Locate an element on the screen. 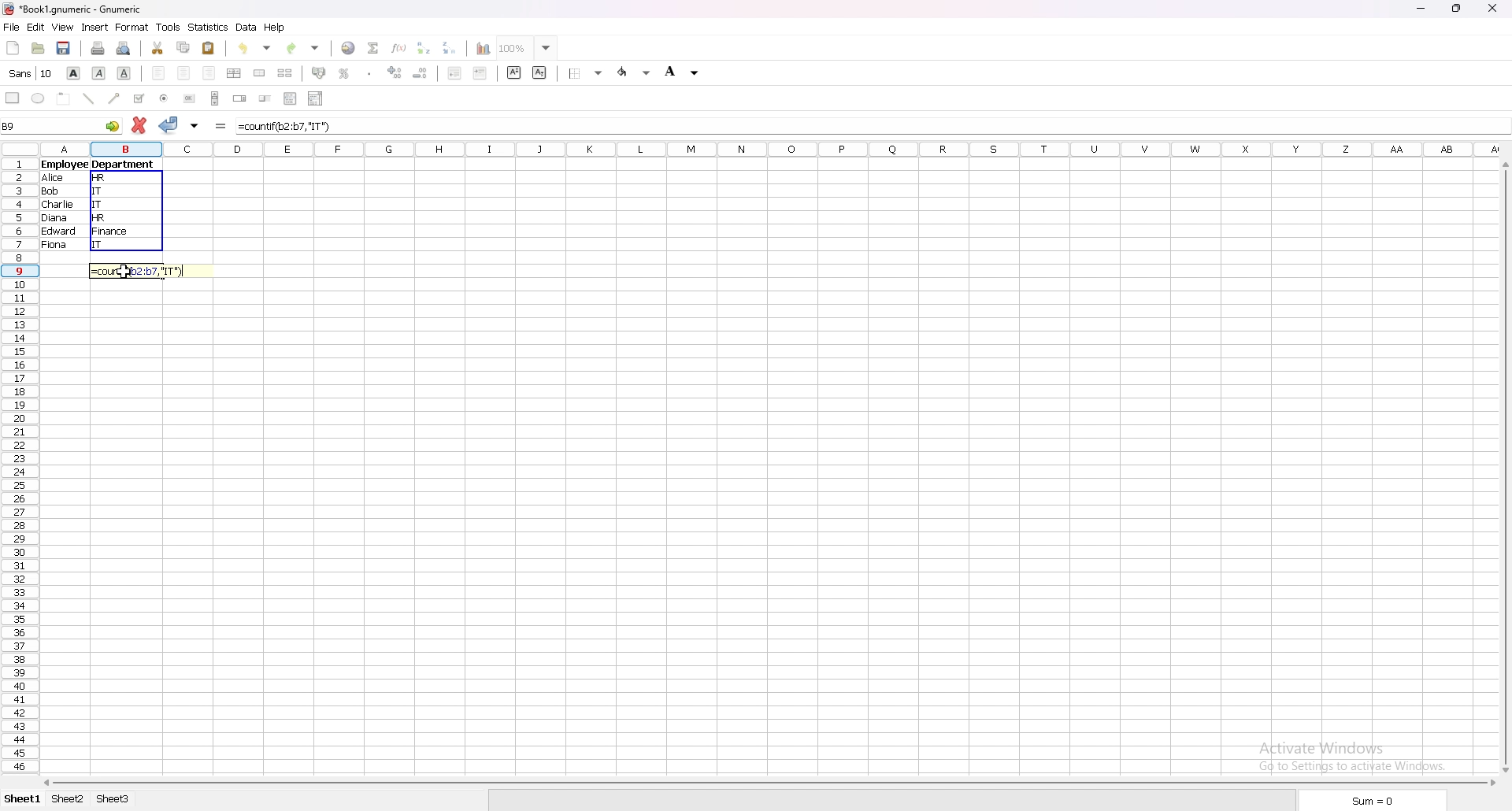 The width and height of the screenshot is (1512, 811). hyperlink is located at coordinates (349, 48).